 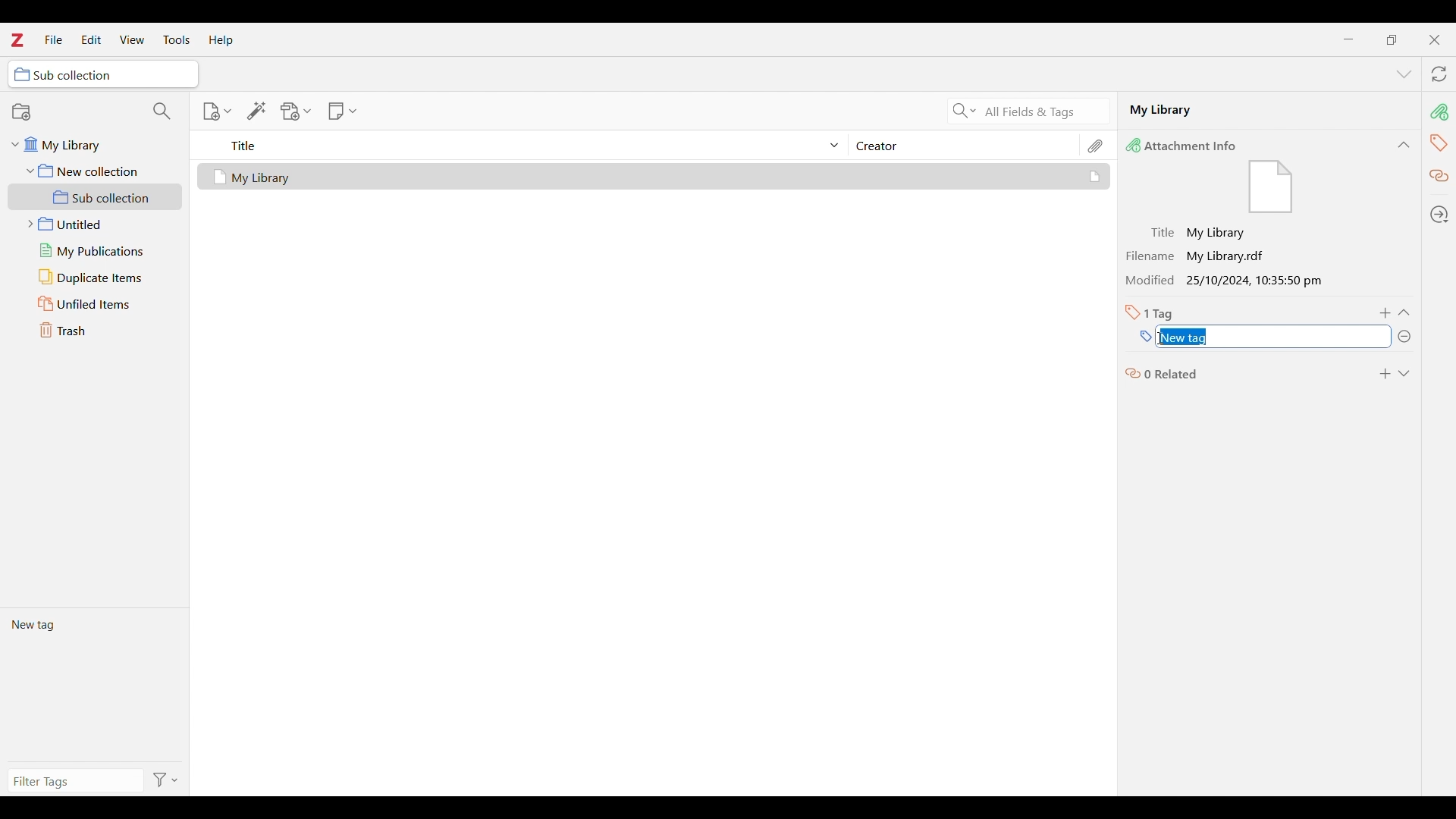 What do you see at coordinates (96, 171) in the screenshot?
I see `New collection folder` at bounding box center [96, 171].